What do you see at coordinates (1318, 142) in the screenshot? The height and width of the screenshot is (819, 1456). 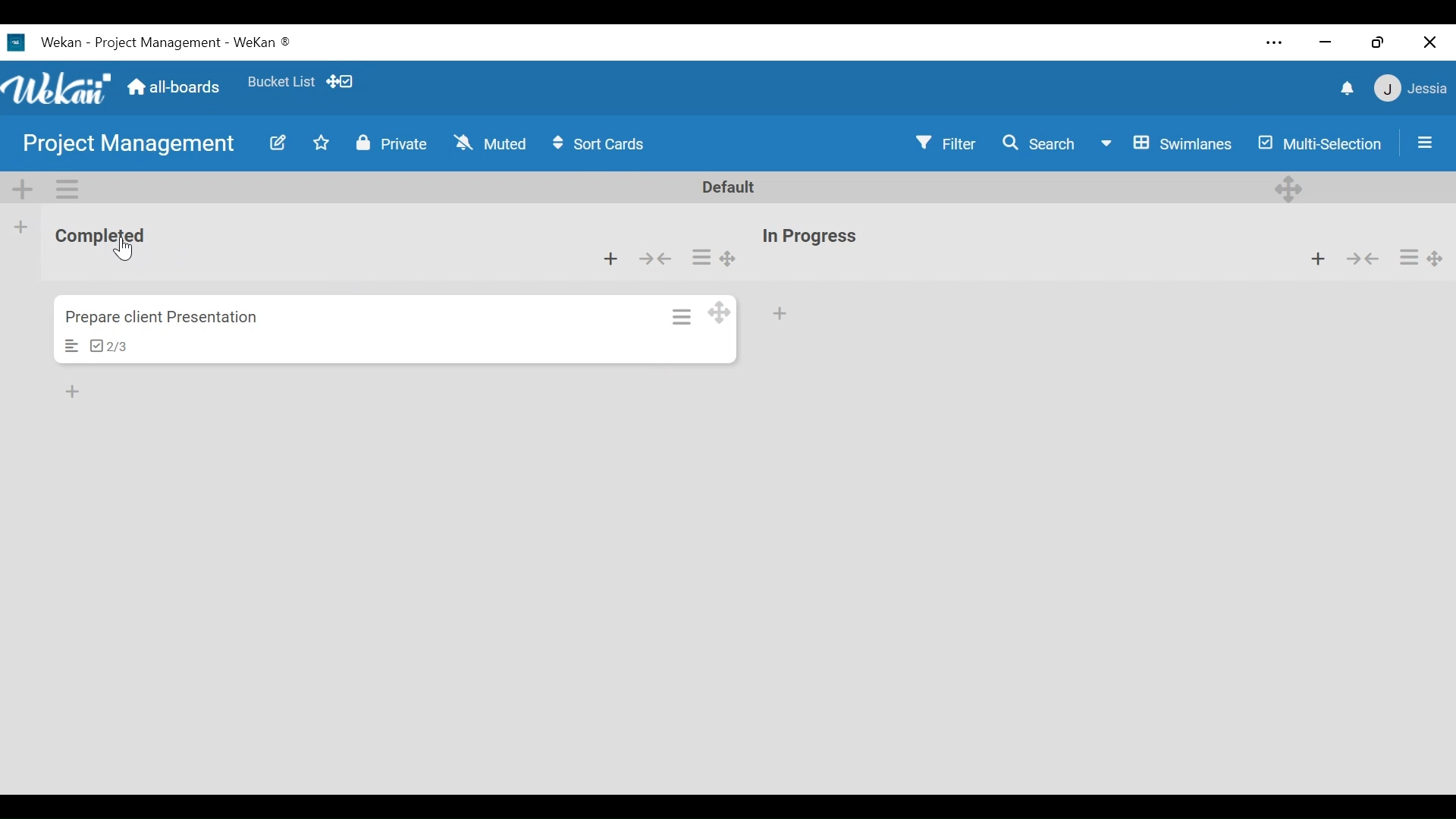 I see `Multi-selection` at bounding box center [1318, 142].